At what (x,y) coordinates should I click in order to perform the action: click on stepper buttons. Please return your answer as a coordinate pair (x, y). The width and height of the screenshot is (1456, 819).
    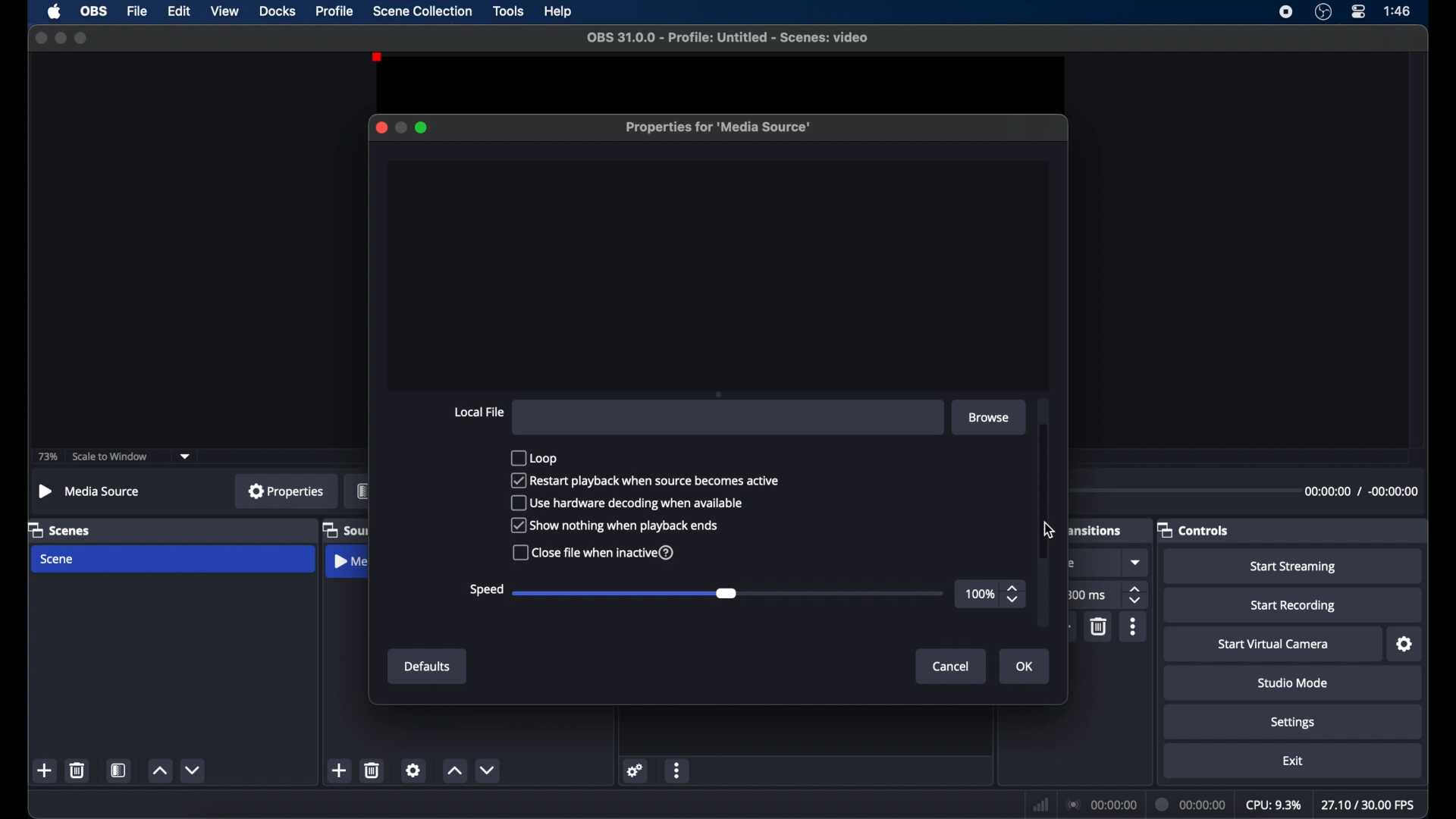
    Looking at the image, I should click on (1136, 595).